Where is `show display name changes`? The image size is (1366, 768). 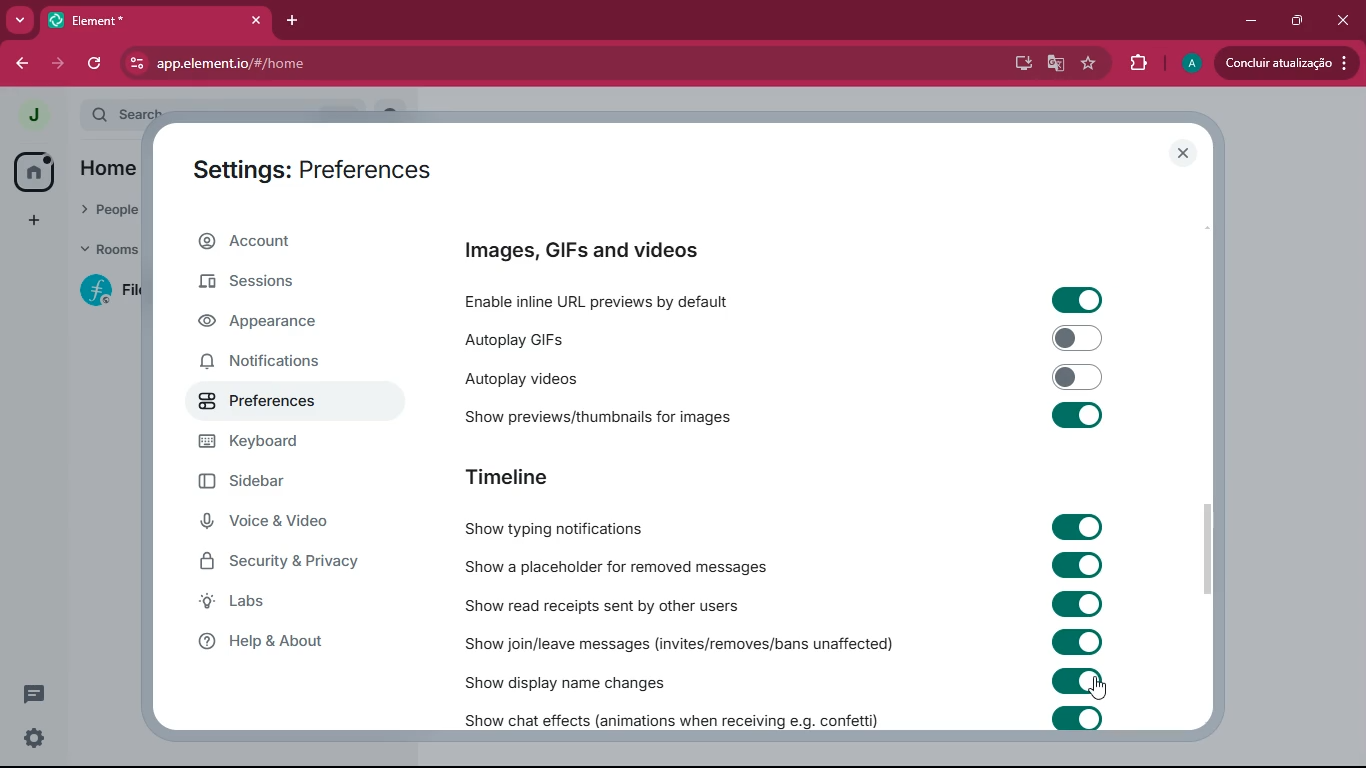
show display name changes is located at coordinates (583, 683).